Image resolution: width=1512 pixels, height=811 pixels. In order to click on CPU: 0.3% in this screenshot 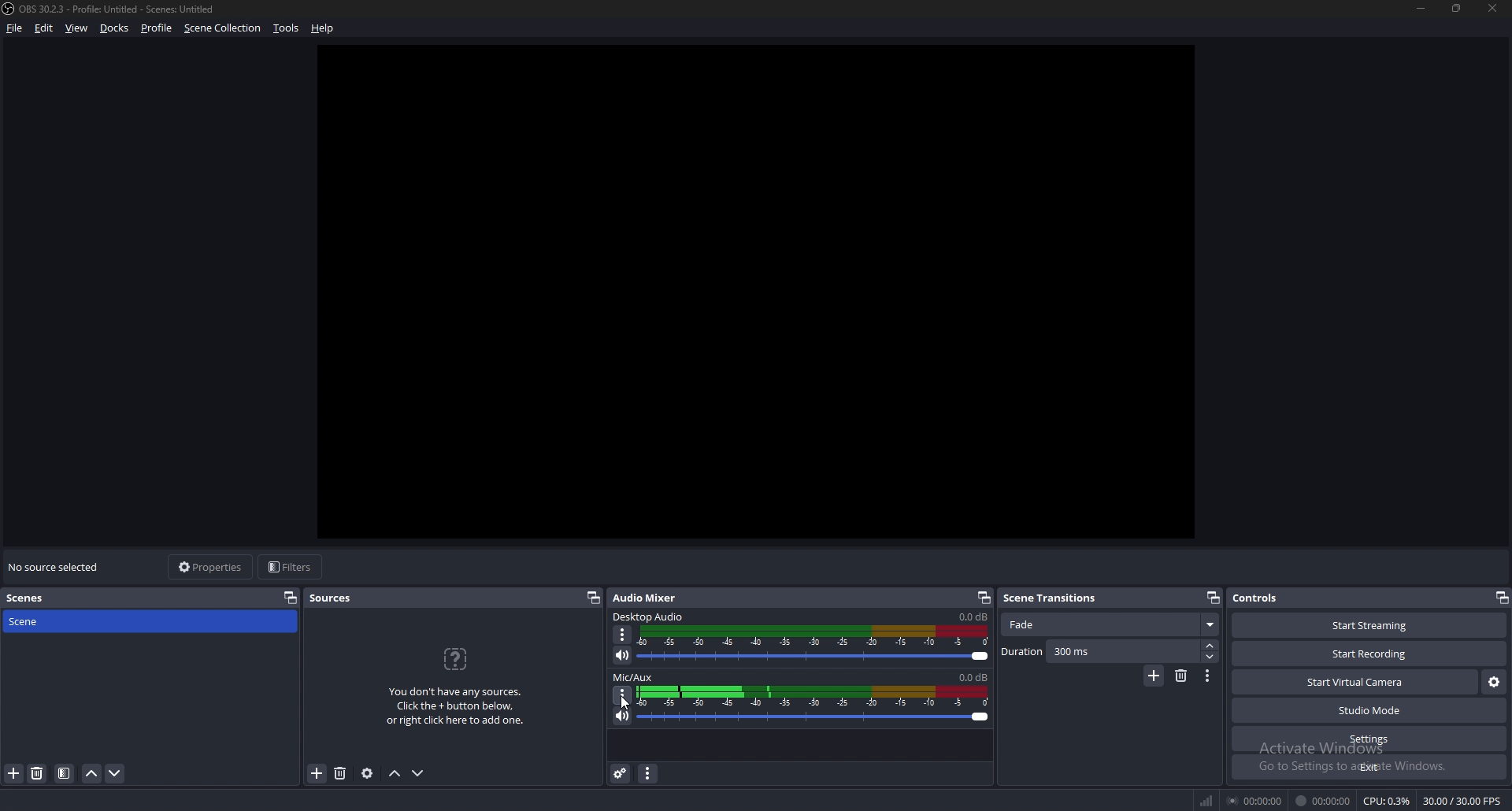, I will do `click(1388, 802)`.